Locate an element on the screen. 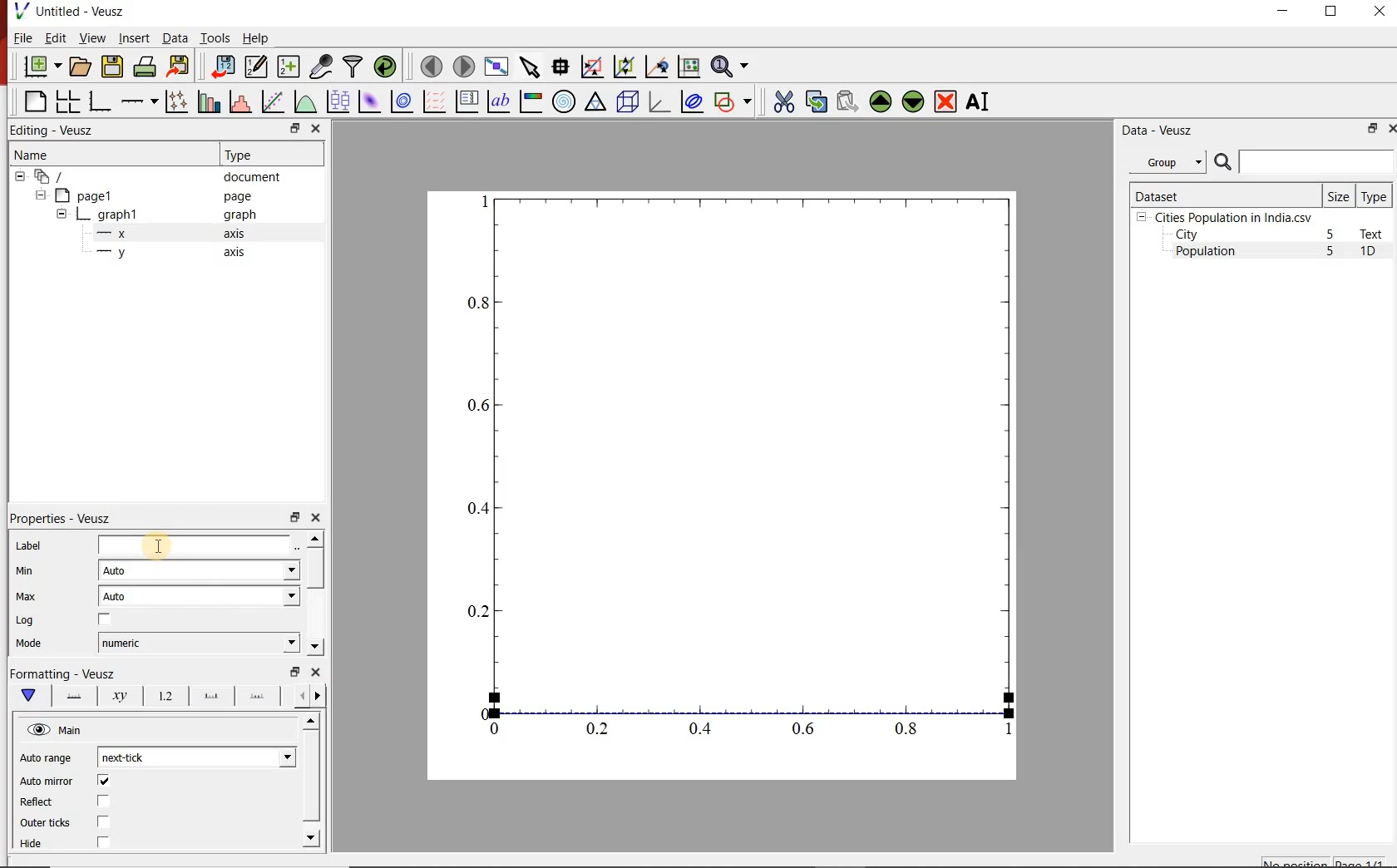 The width and height of the screenshot is (1397, 868). Edit is located at coordinates (54, 38).